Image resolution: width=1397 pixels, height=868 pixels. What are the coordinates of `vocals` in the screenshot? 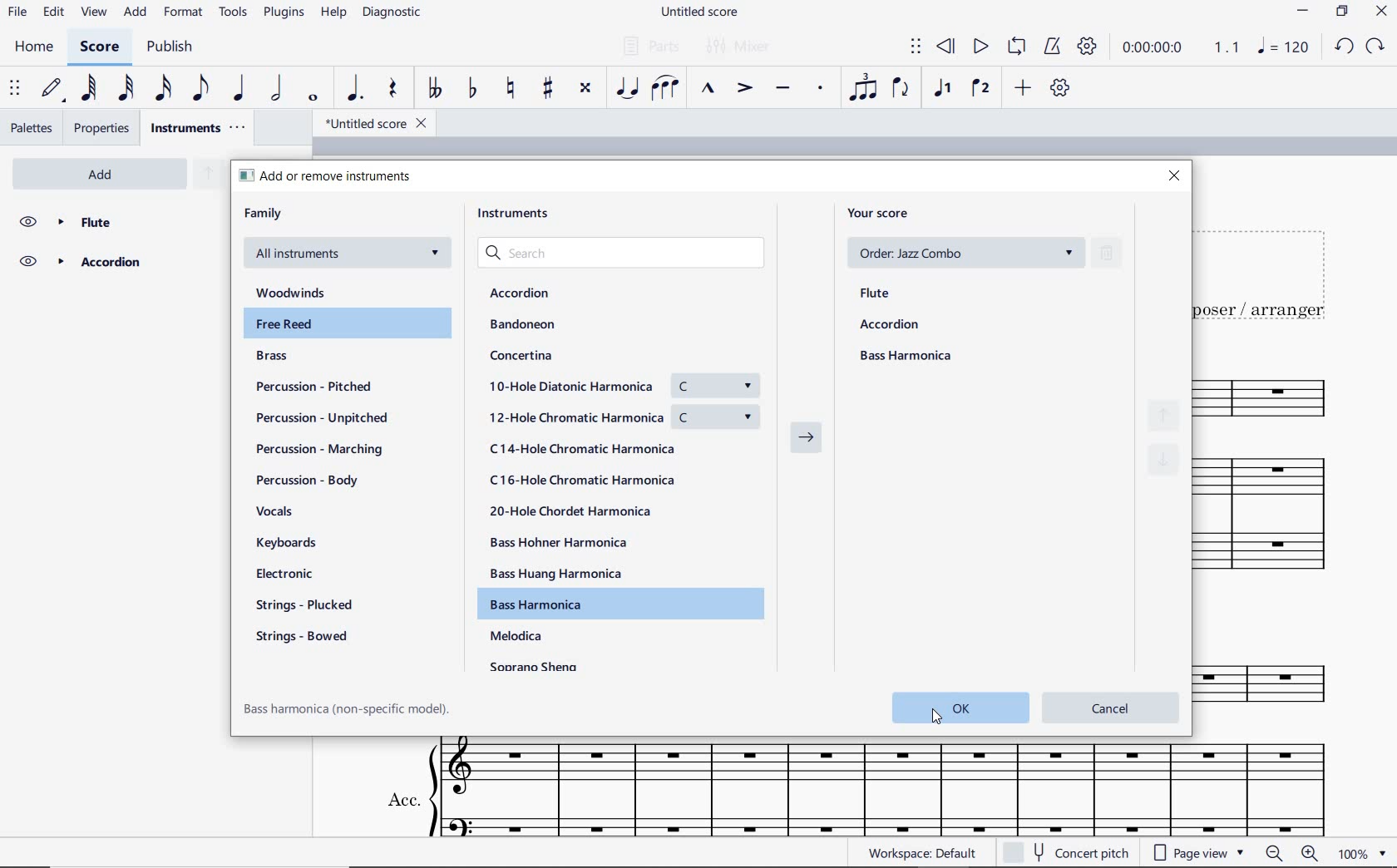 It's located at (308, 510).